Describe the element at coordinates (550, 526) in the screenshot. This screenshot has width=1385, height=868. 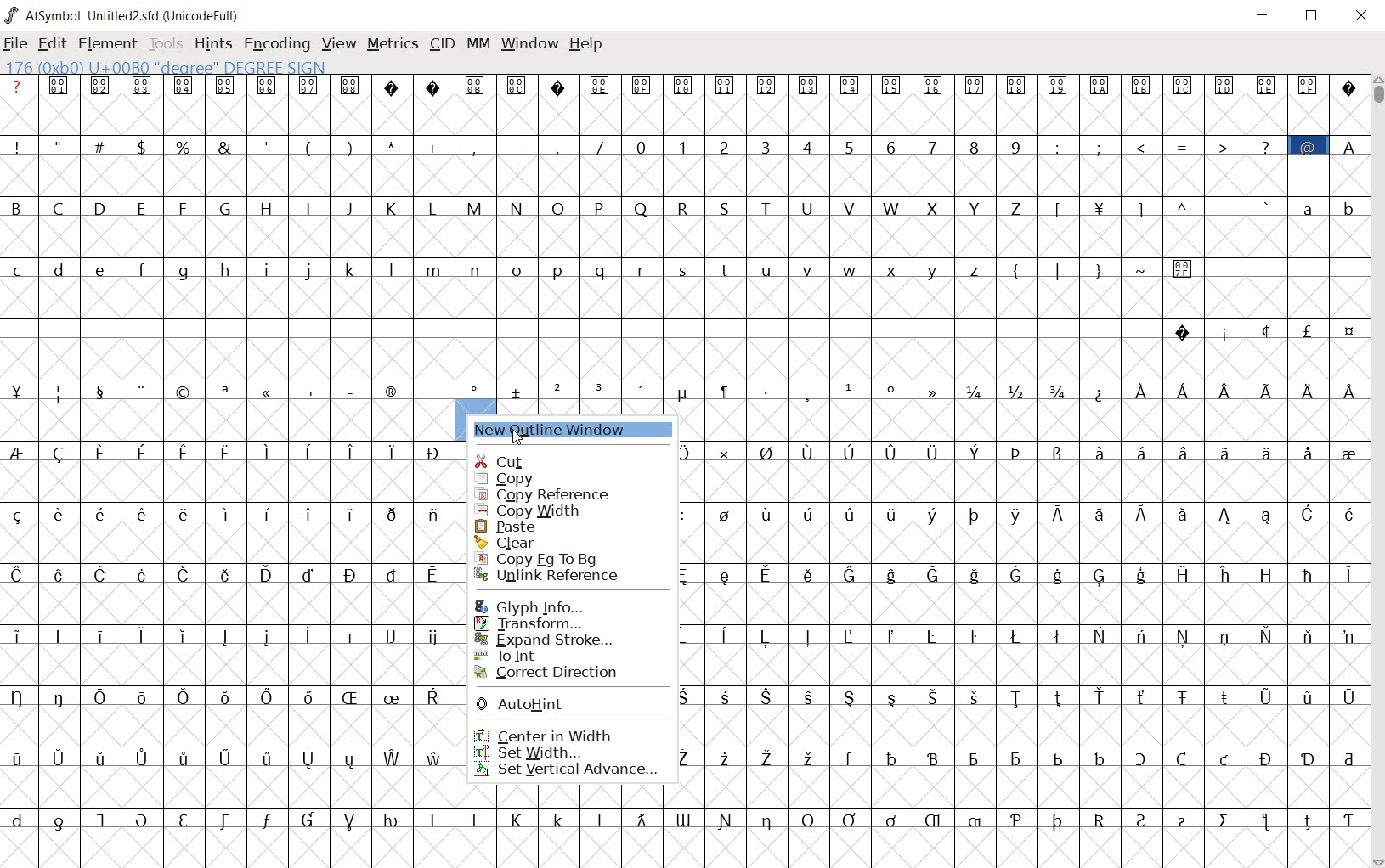
I see `paste` at that location.